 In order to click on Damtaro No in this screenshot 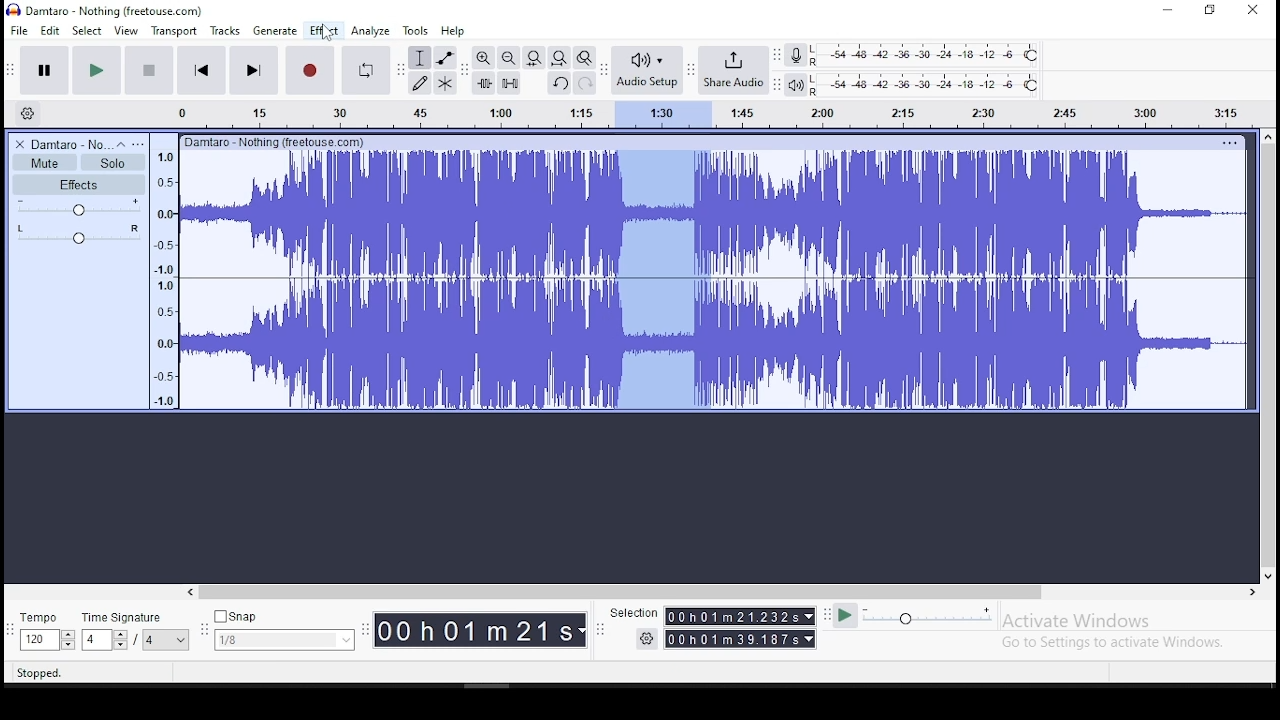, I will do `click(70, 144)`.